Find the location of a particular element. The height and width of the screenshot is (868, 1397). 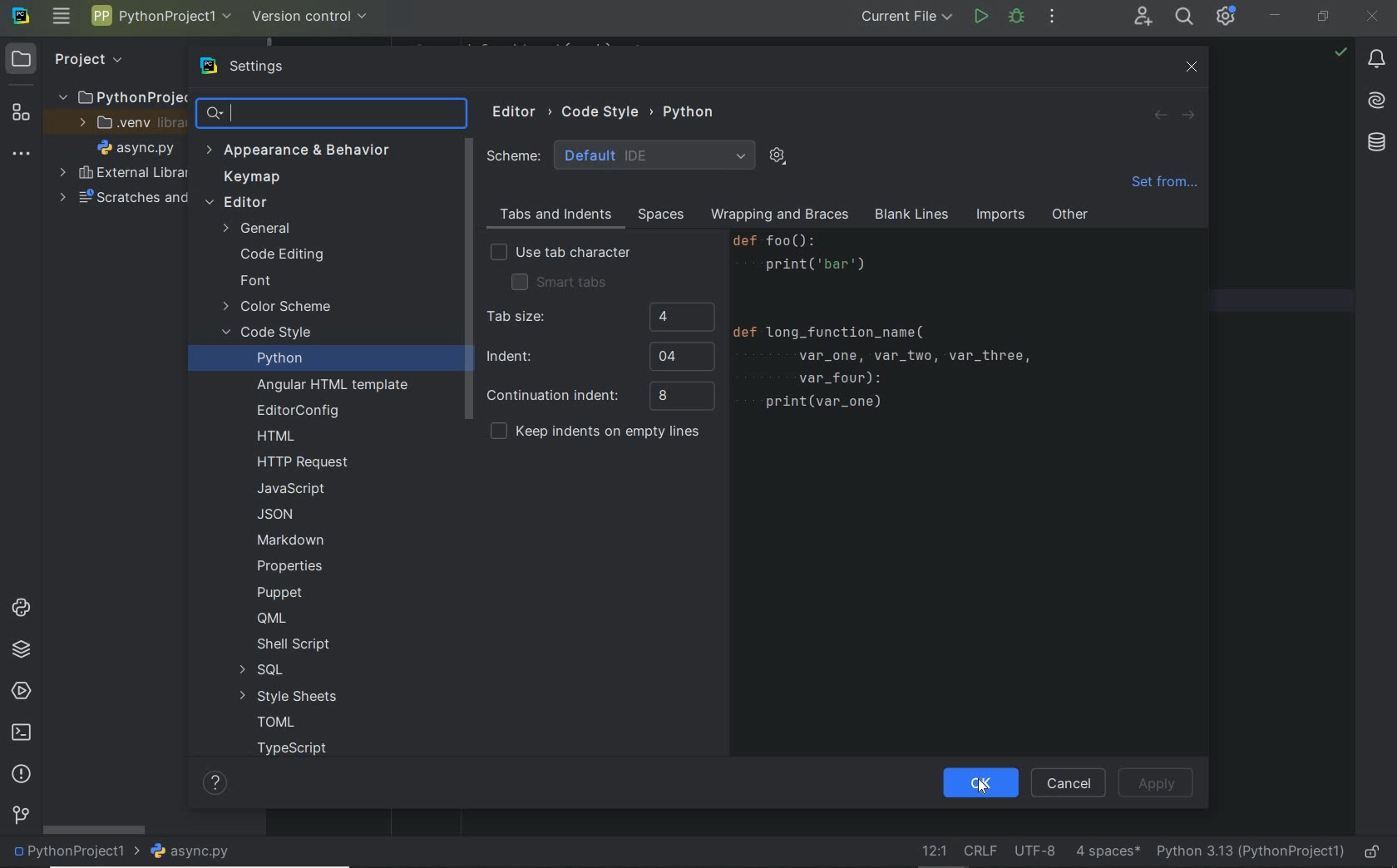

indent is located at coordinates (599, 356).